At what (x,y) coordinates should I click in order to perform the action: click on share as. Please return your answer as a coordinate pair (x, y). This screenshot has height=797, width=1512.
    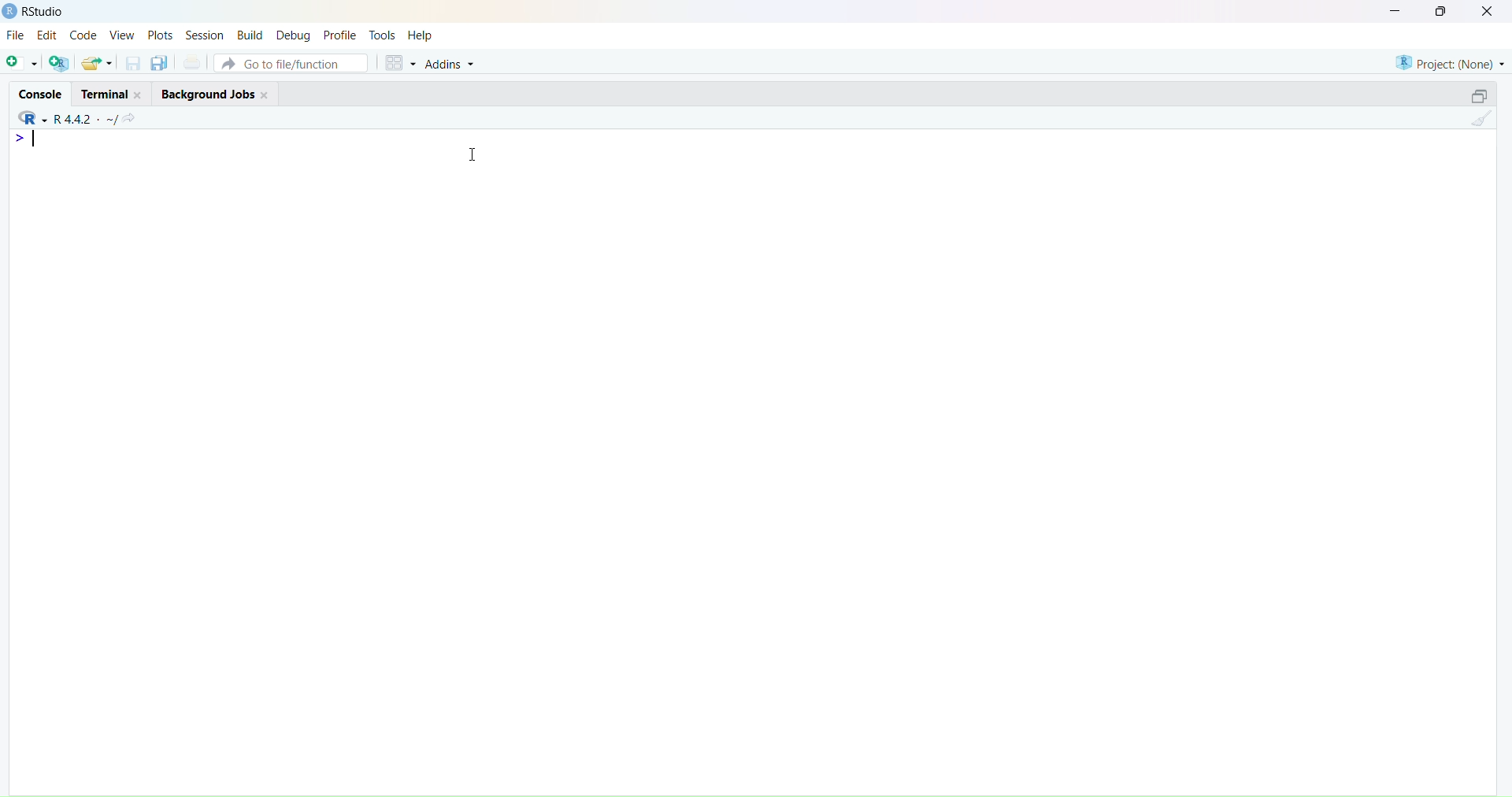
    Looking at the image, I should click on (98, 63).